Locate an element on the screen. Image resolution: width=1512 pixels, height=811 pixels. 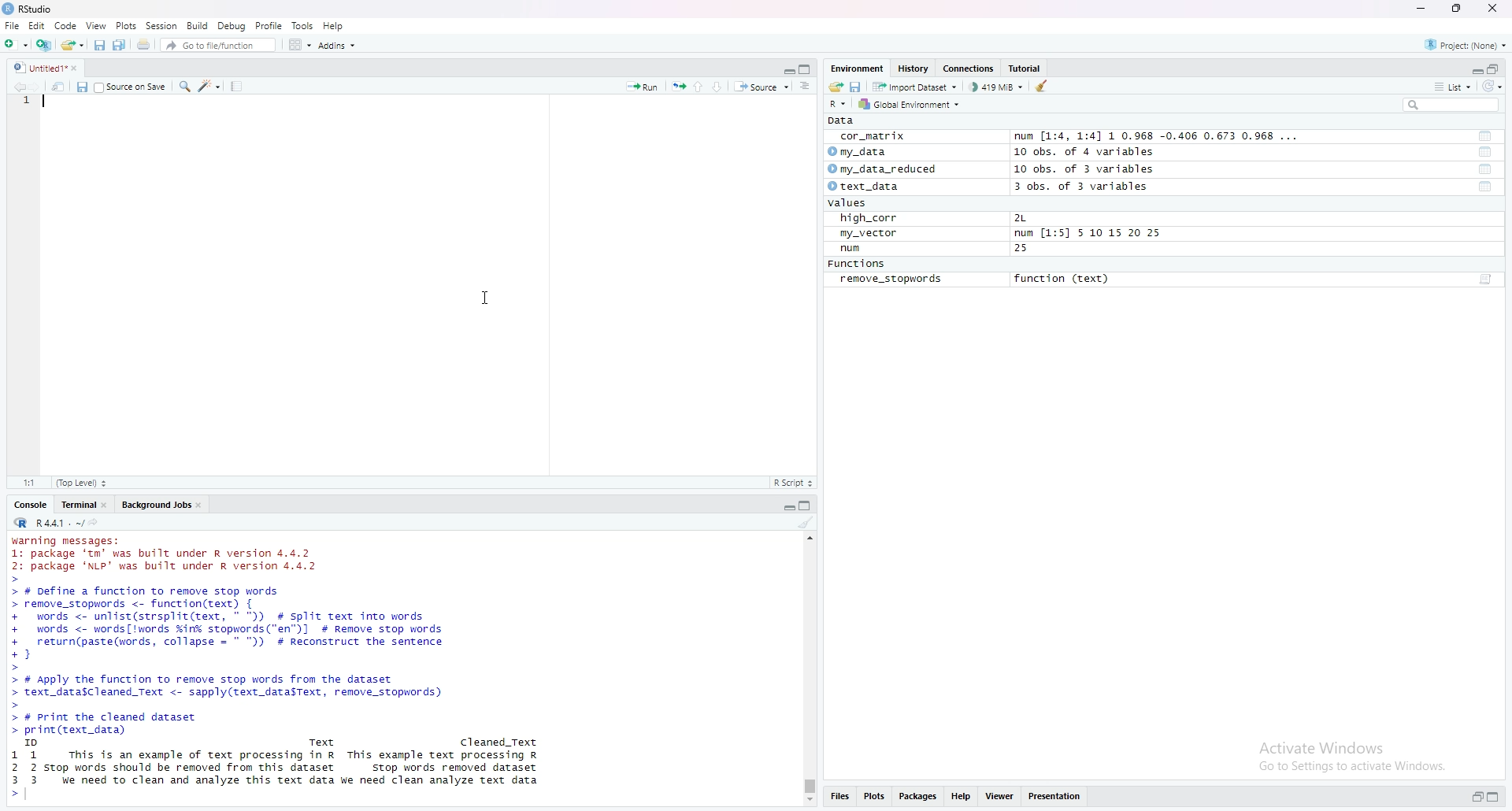
minimize is located at coordinates (784, 507).